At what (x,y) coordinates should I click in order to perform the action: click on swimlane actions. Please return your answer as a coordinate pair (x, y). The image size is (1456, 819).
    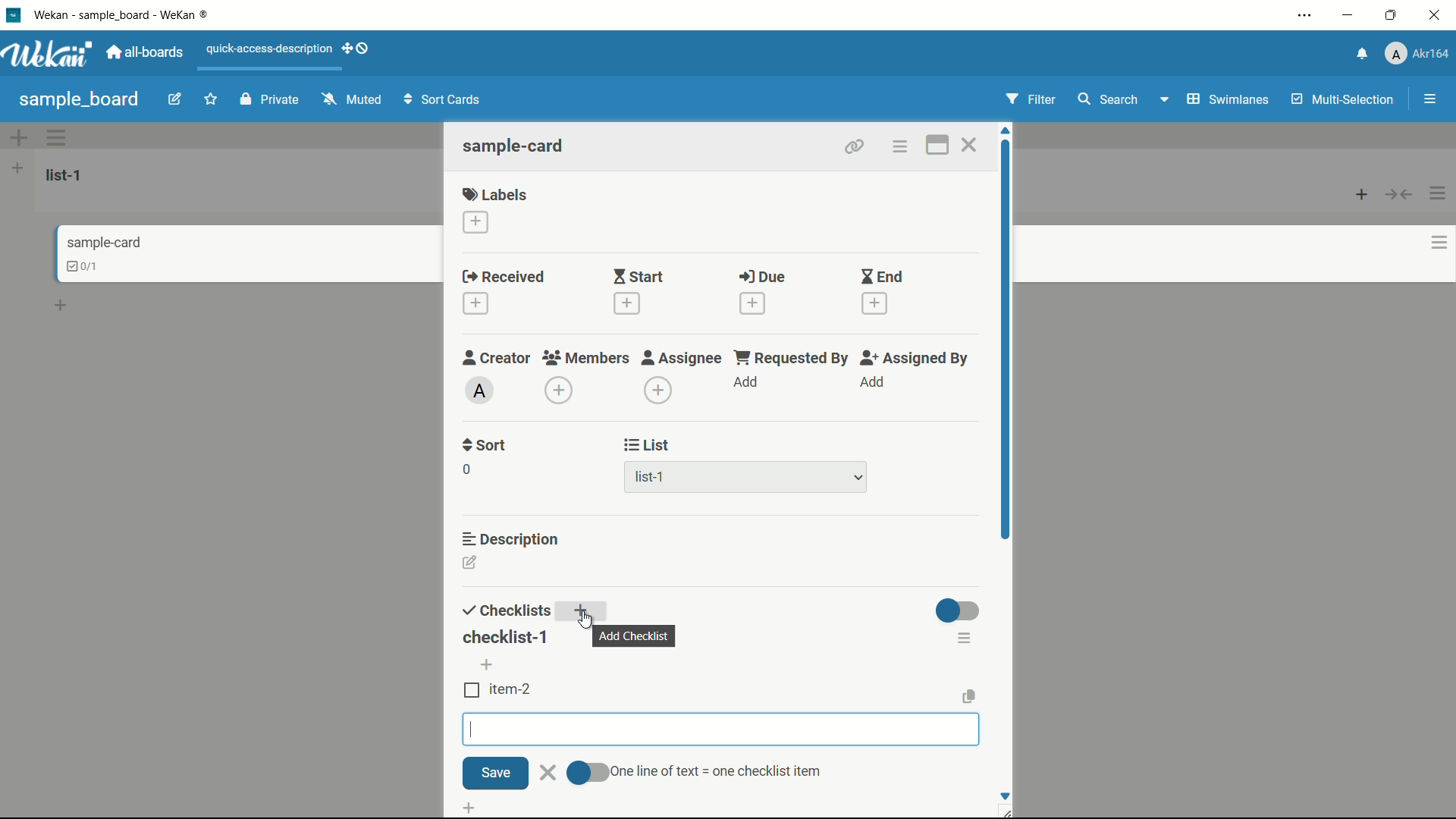
    Looking at the image, I should click on (58, 137).